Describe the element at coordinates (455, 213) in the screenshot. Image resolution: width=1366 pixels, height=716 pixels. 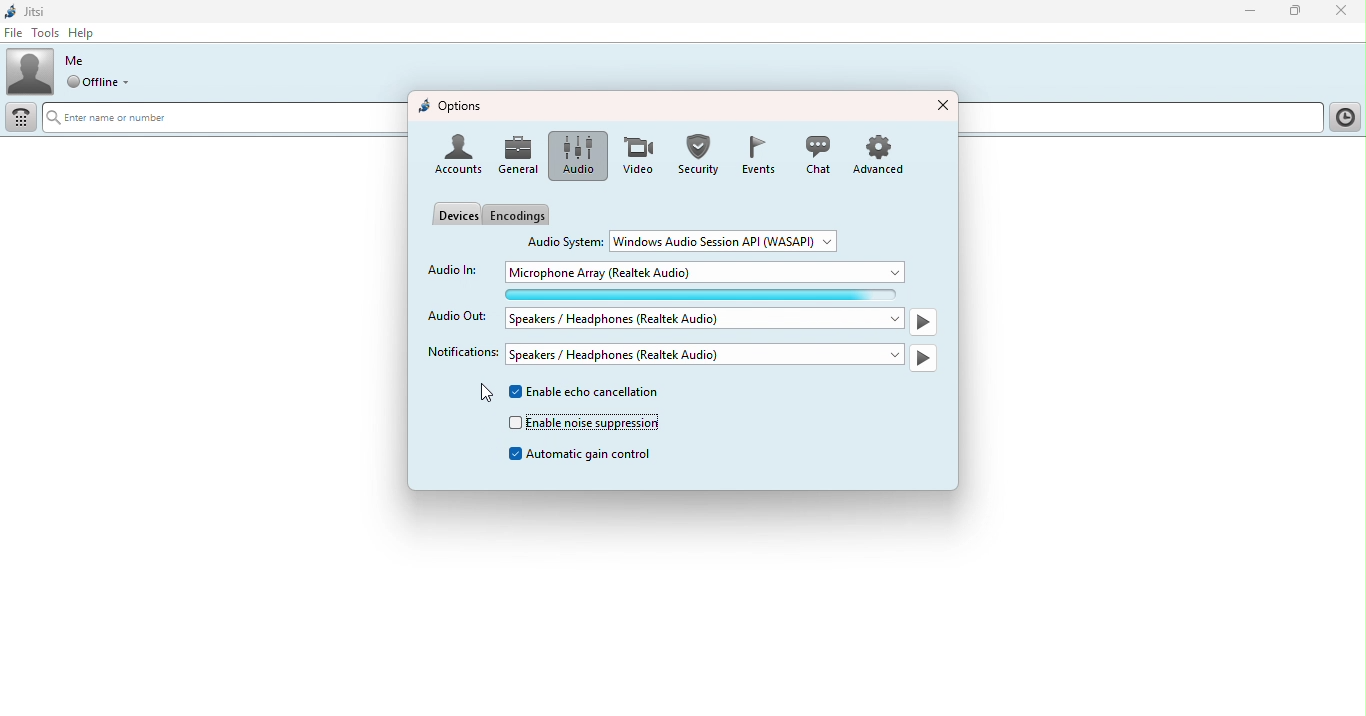
I see `Devices` at that location.